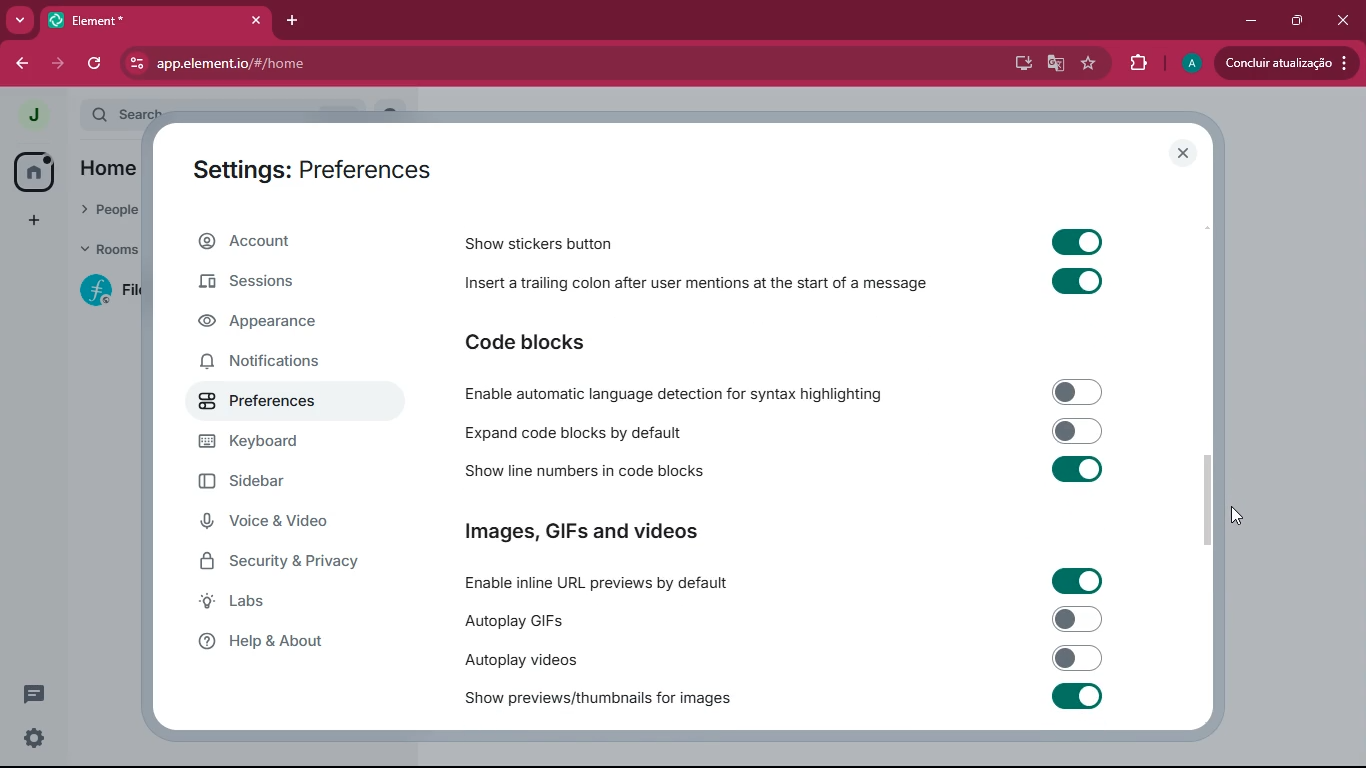 The height and width of the screenshot is (768, 1366). I want to click on Settings: Preferences, so click(312, 172).